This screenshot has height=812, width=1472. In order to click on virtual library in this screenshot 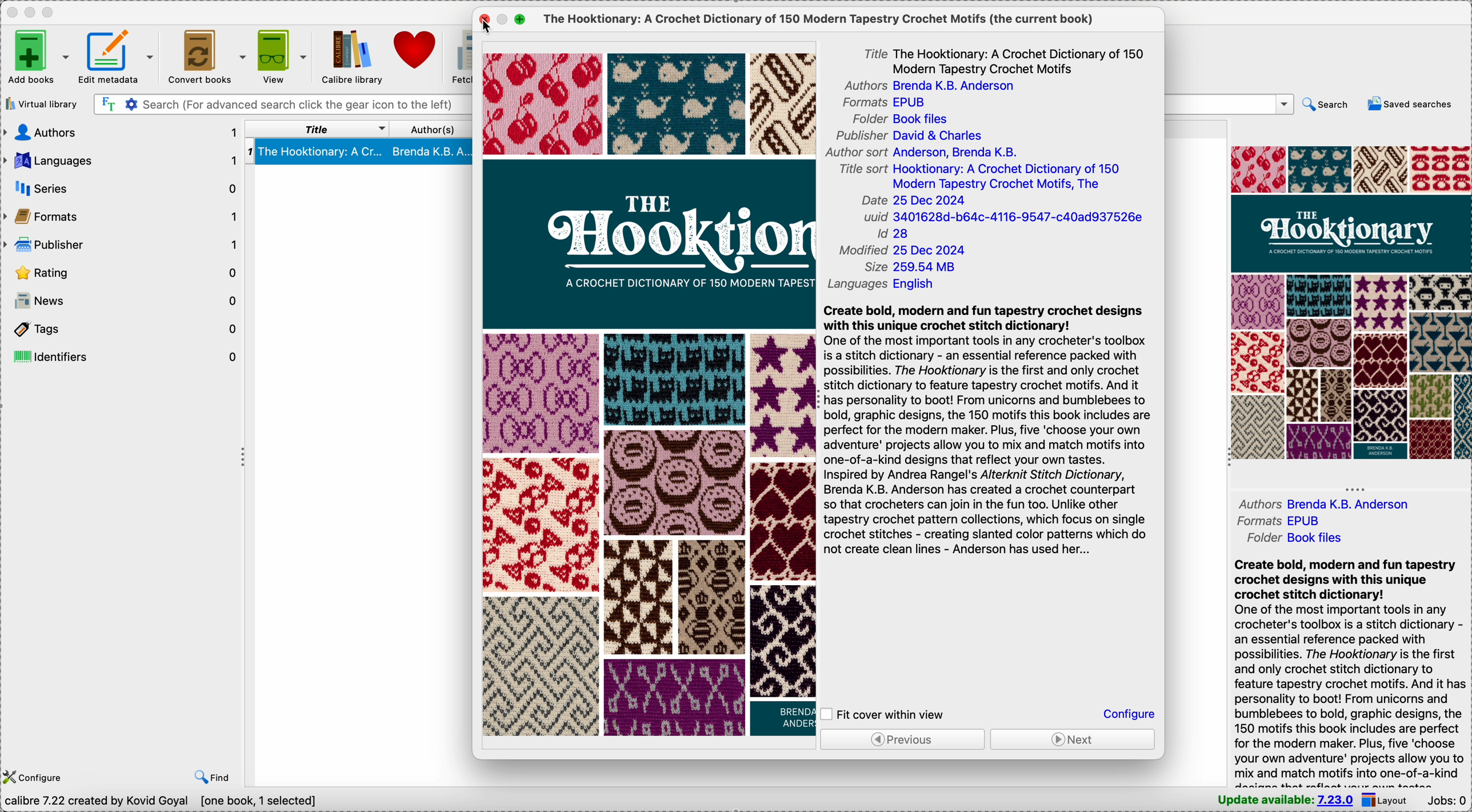, I will do `click(41, 105)`.